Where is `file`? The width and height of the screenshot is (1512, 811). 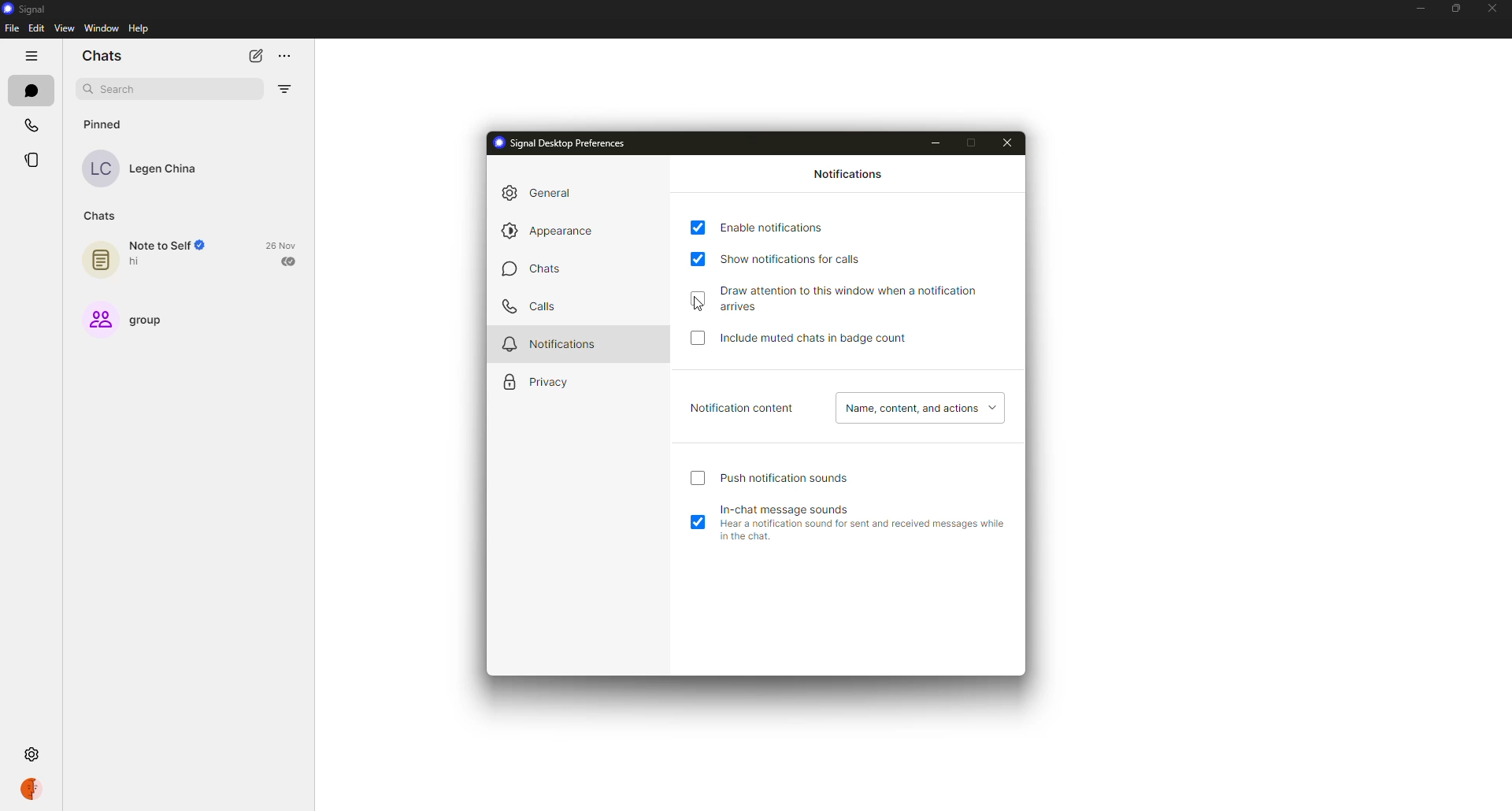 file is located at coordinates (11, 28).